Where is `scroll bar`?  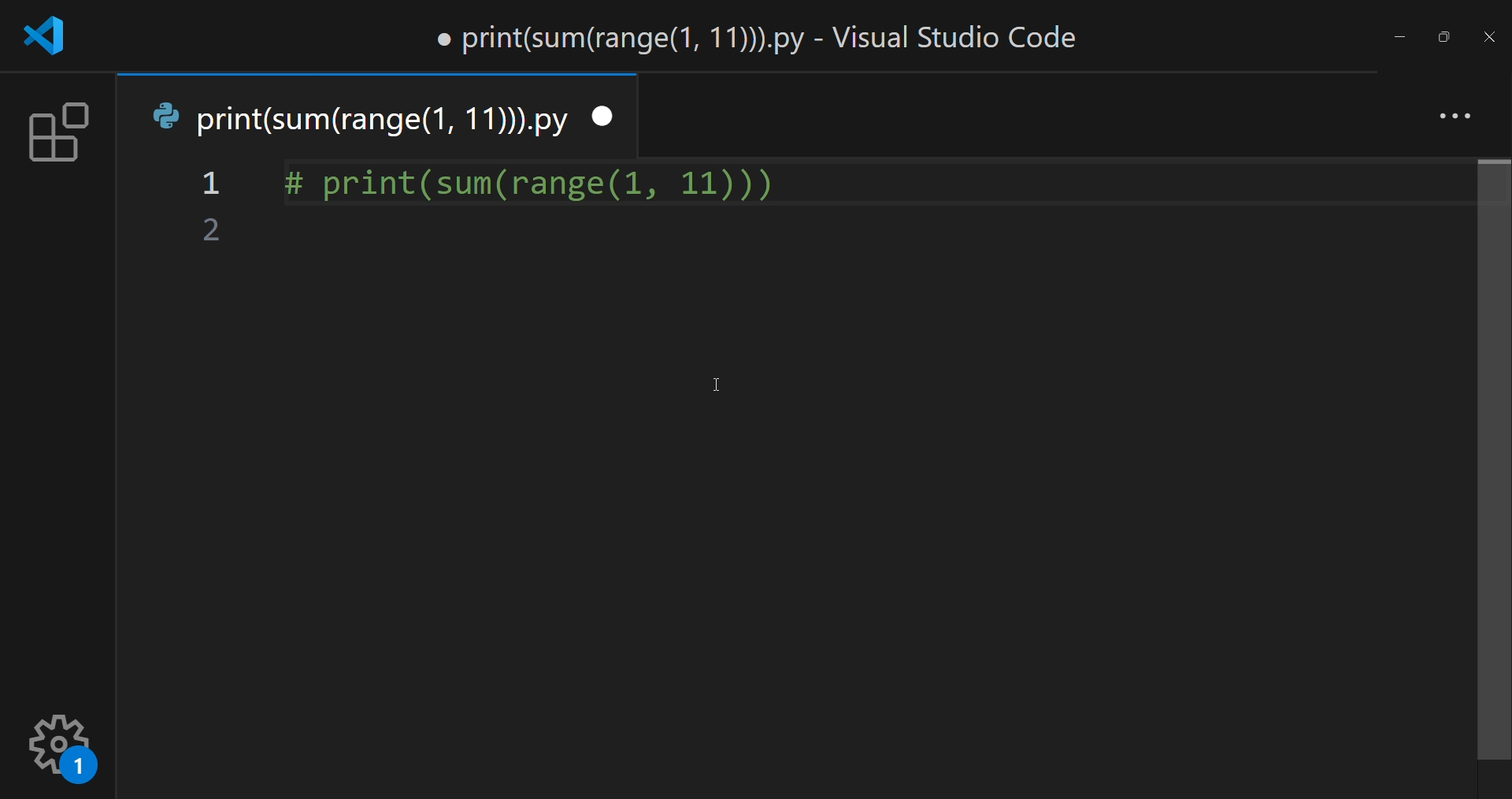
scroll bar is located at coordinates (1491, 462).